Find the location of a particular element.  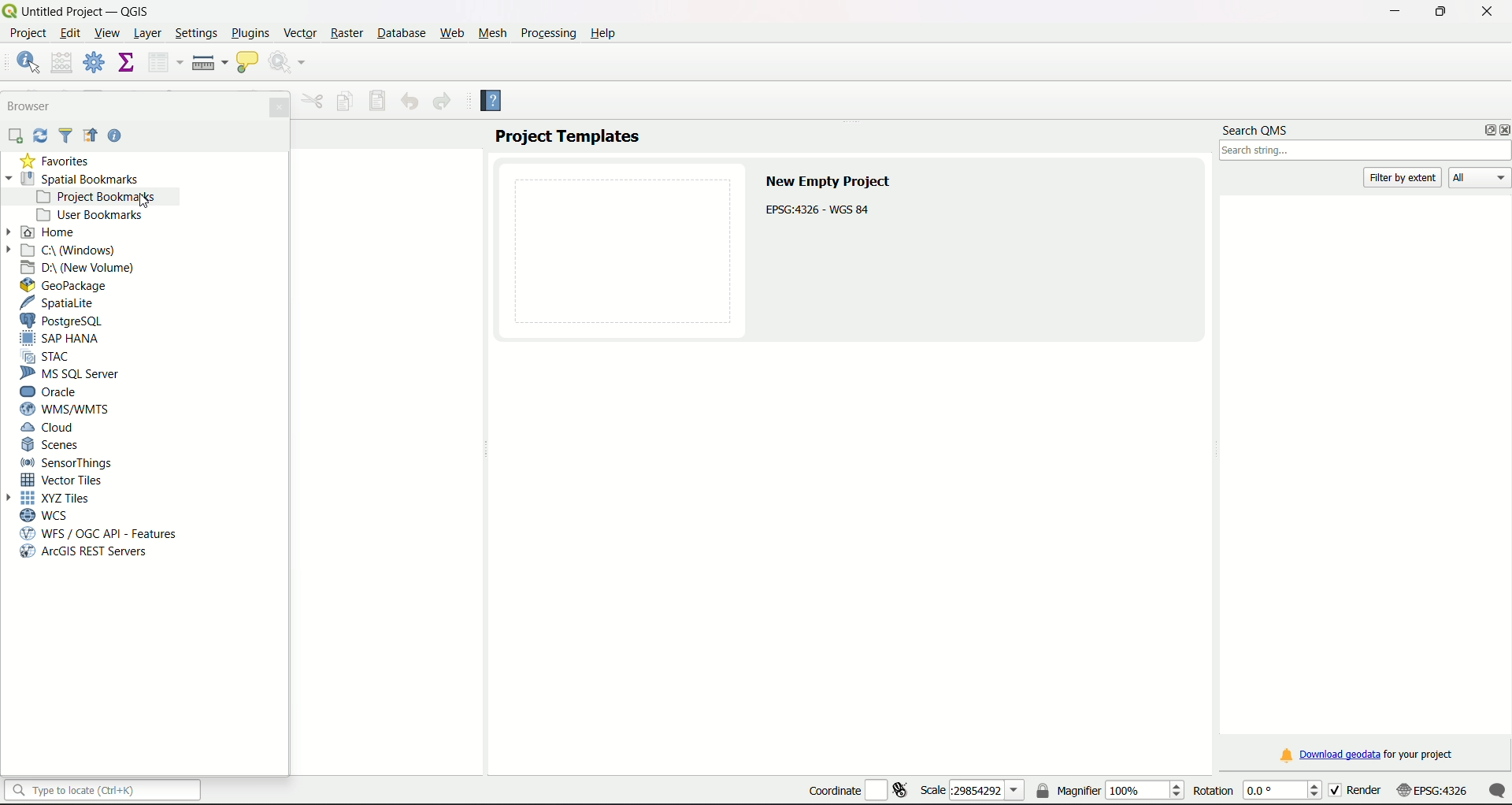

Plugins is located at coordinates (250, 33).